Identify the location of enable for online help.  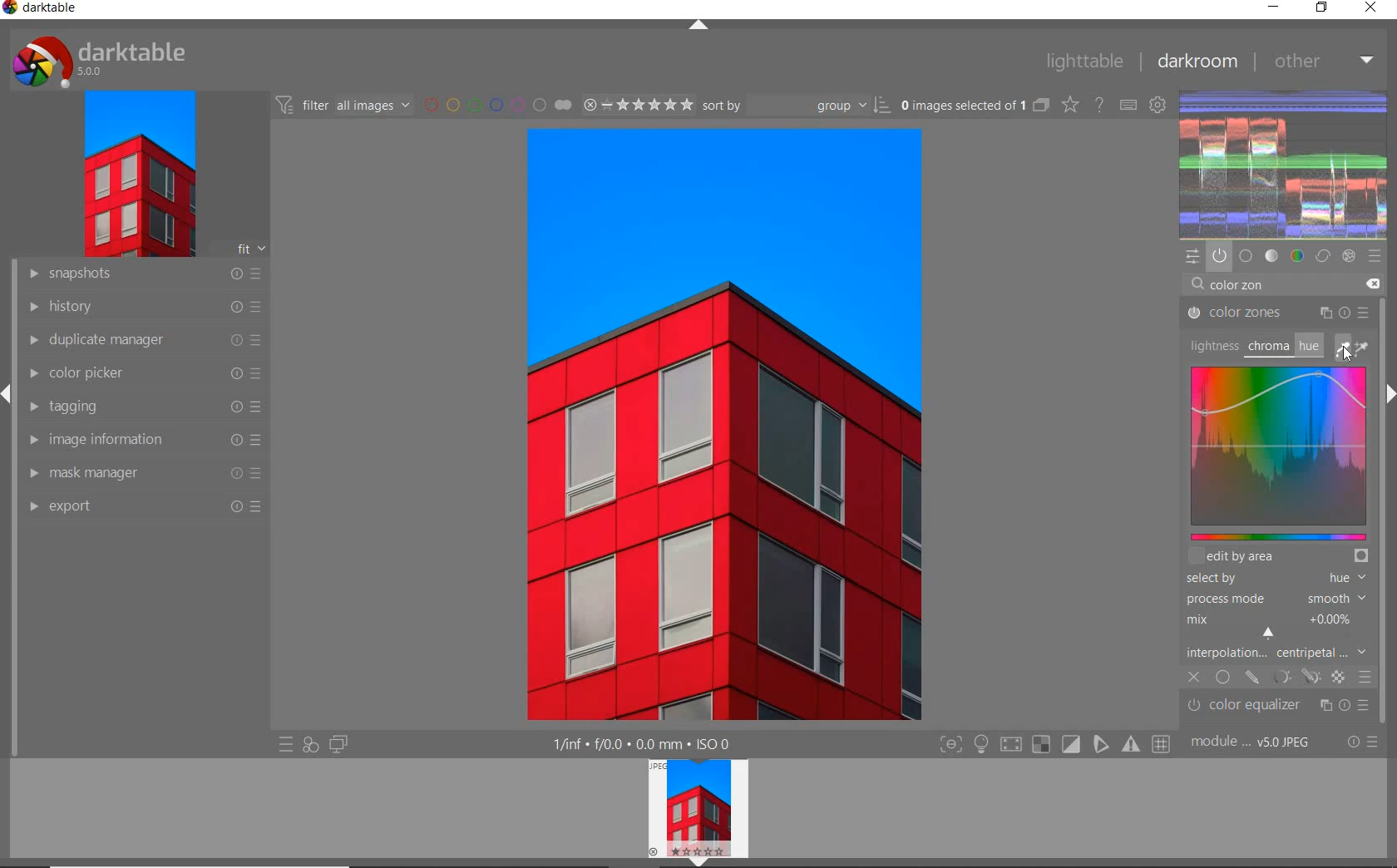
(1100, 104).